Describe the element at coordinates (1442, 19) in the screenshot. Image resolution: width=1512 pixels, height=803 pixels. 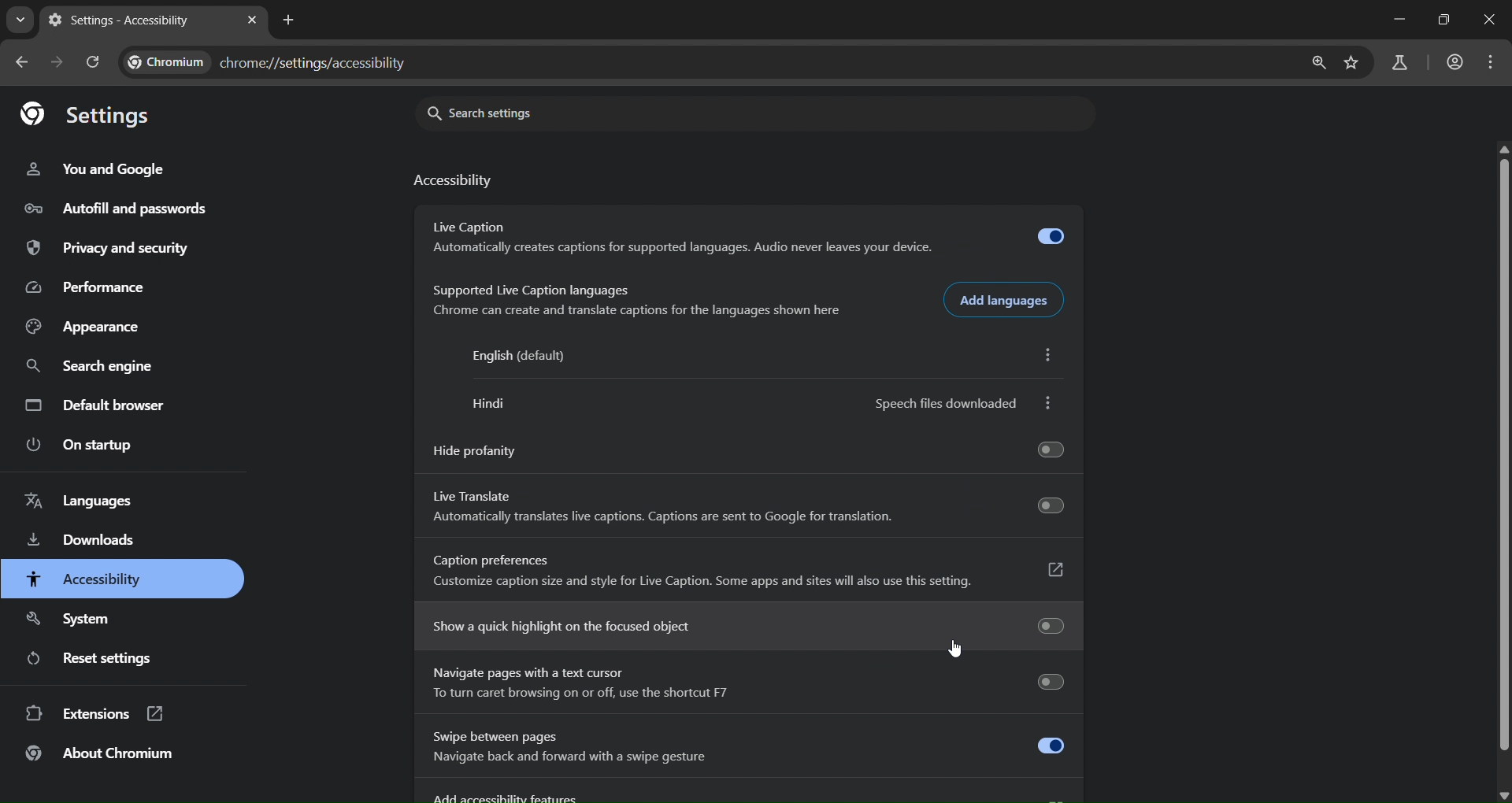
I see `restore down` at that location.